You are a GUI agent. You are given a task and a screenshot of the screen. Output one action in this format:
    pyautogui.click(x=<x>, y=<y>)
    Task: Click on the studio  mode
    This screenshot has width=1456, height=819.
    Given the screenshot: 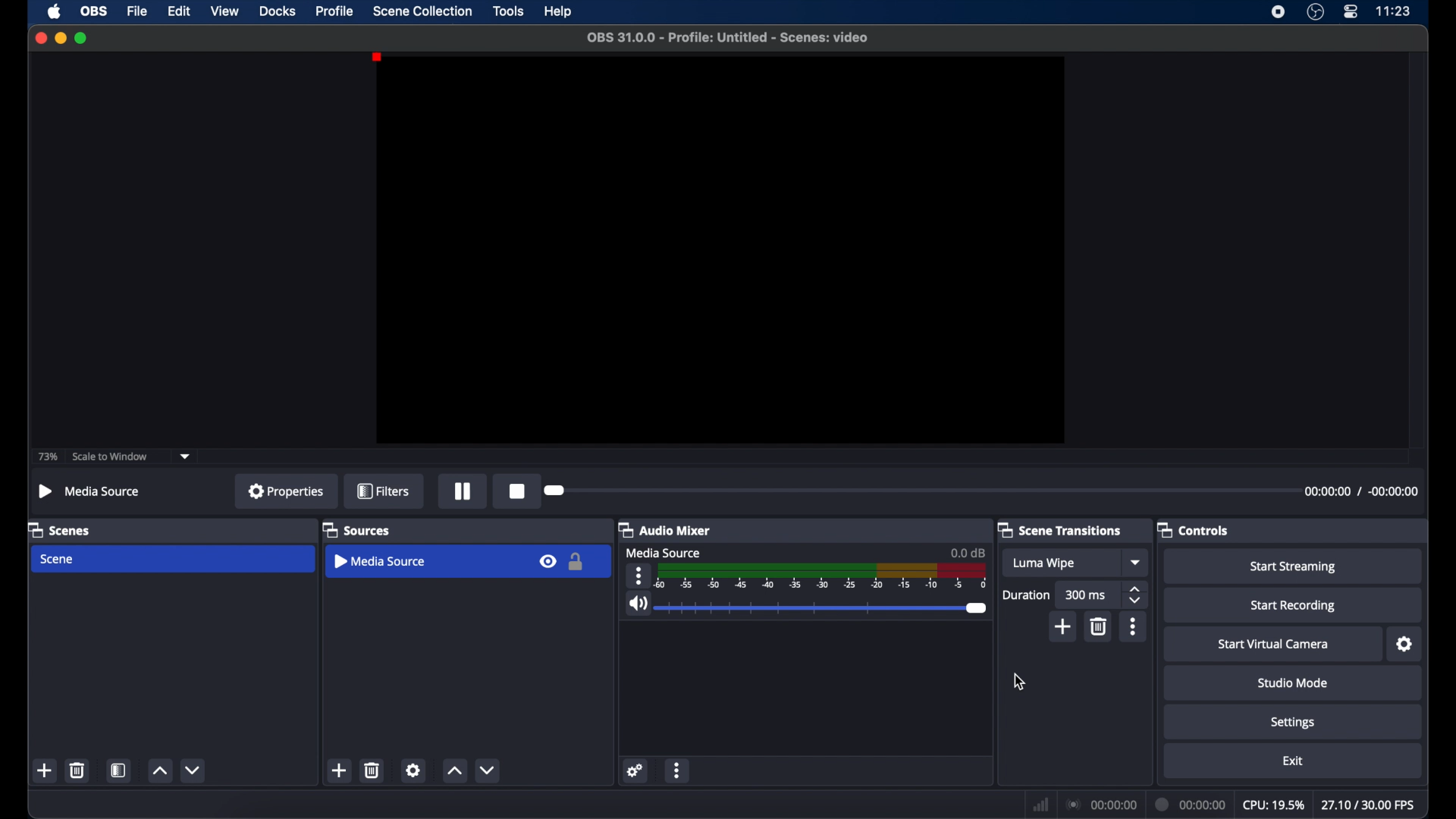 What is the action you would take?
    pyautogui.click(x=1293, y=682)
    